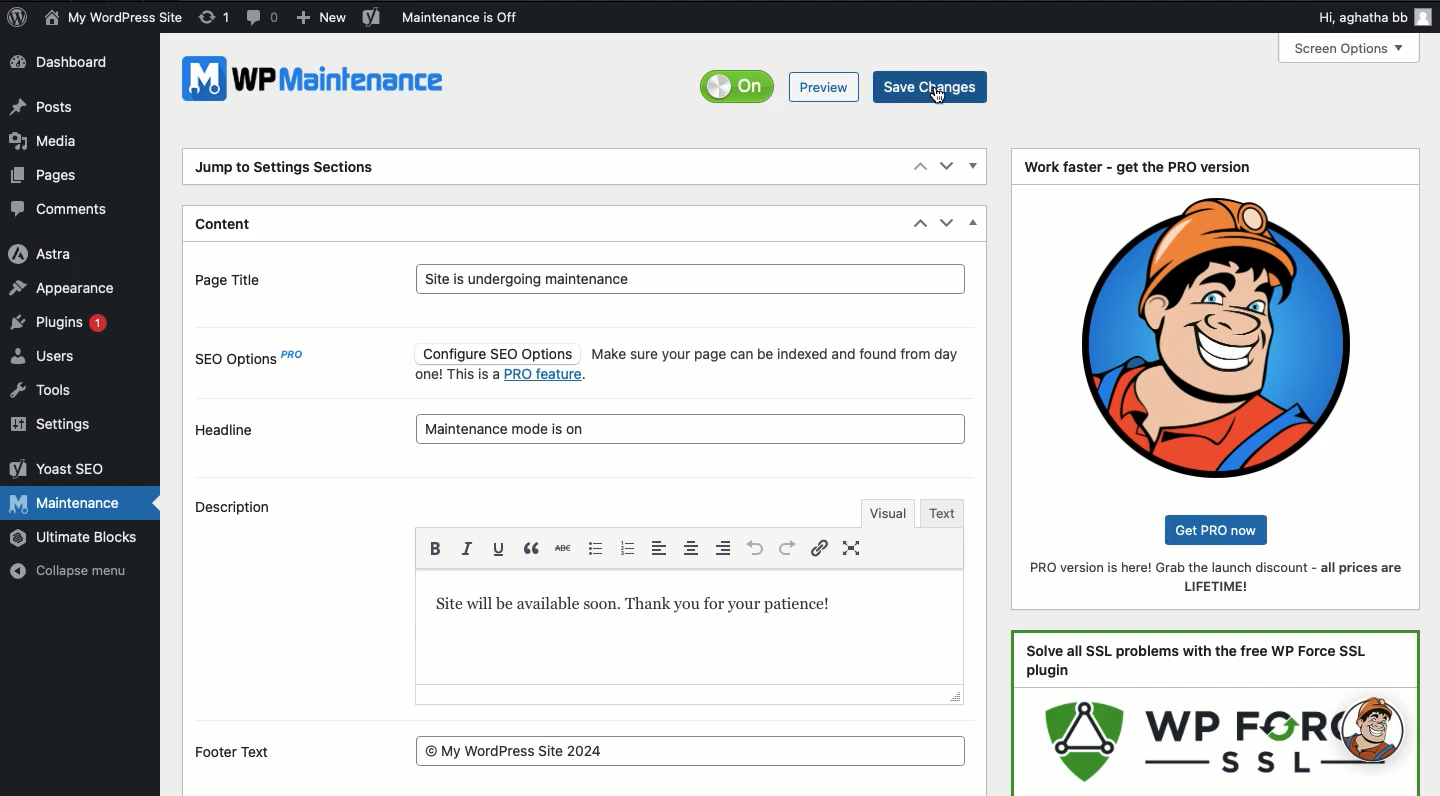  Describe the element at coordinates (593, 547) in the screenshot. I see `Bullet` at that location.